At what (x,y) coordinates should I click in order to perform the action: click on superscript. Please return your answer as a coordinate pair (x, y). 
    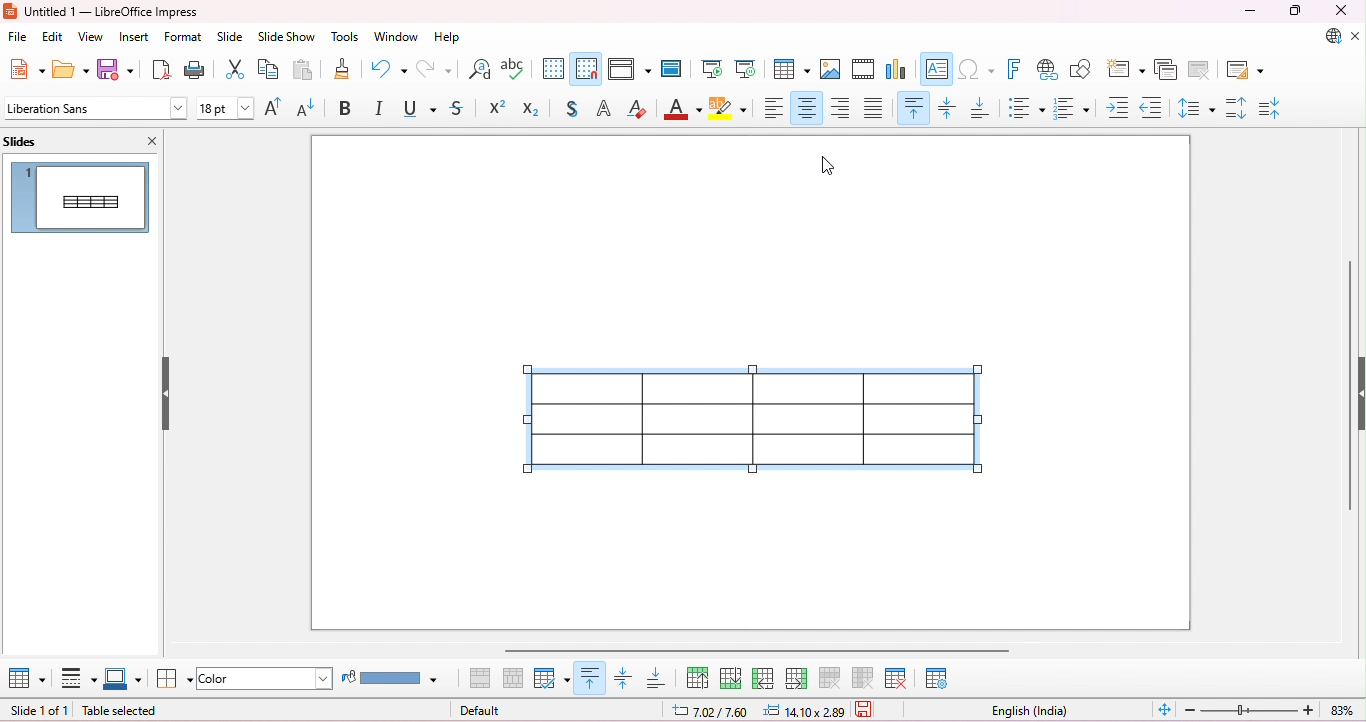
    Looking at the image, I should click on (497, 107).